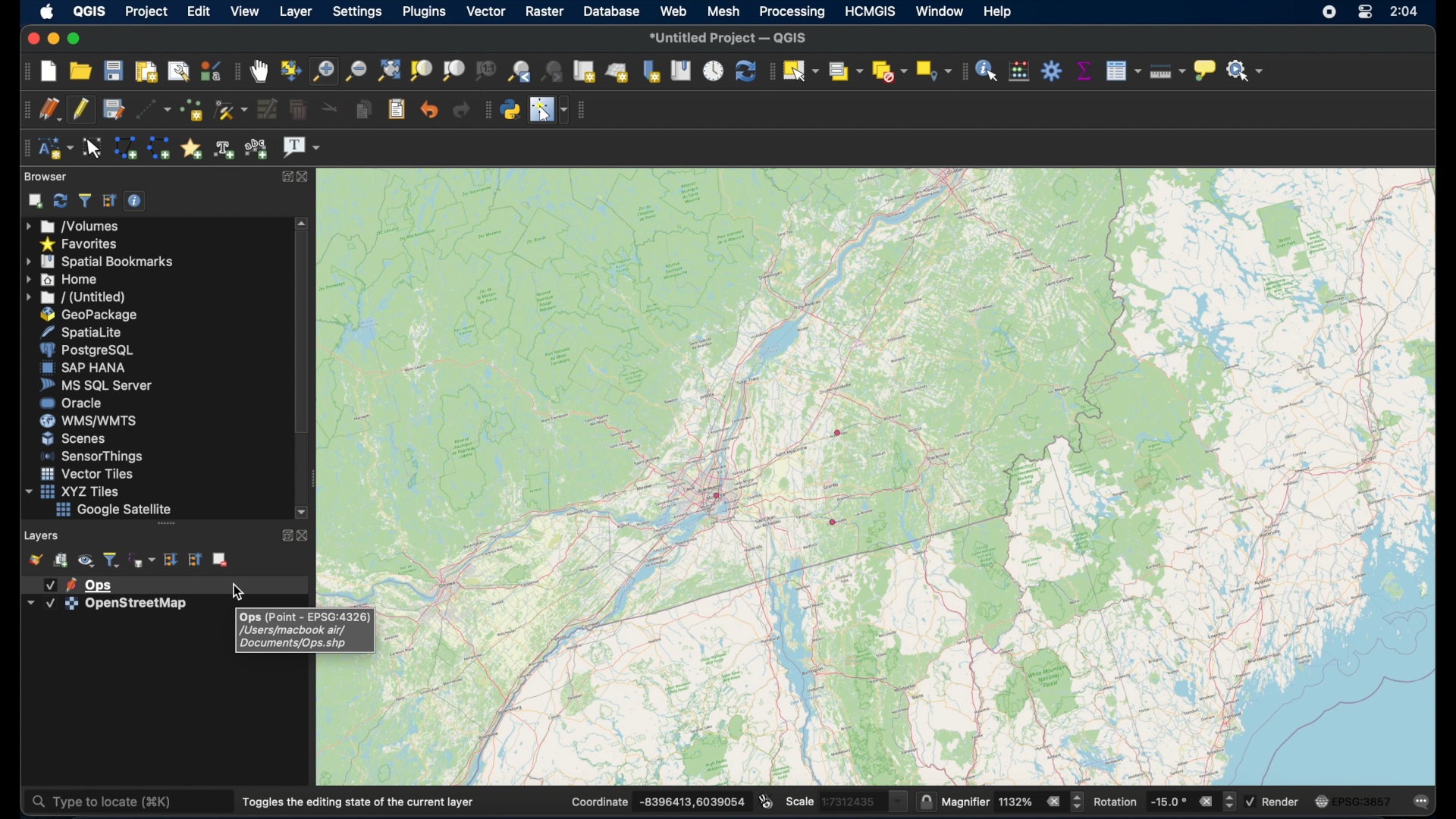 This screenshot has width=1456, height=819. Describe the element at coordinates (873, 293) in the screenshot. I see `open street map` at that location.